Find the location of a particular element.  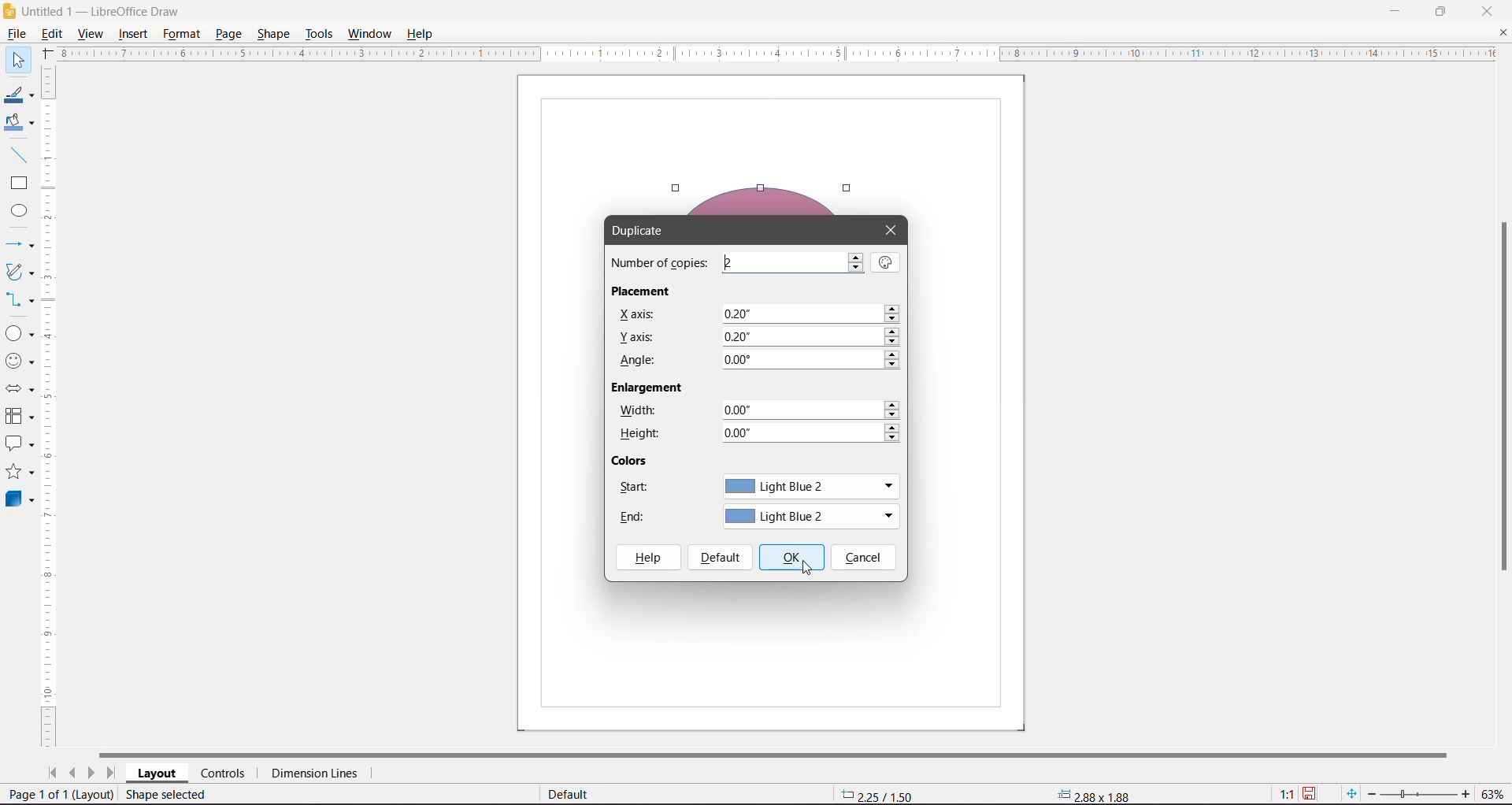

Set X axis positioning is located at coordinates (810, 313).